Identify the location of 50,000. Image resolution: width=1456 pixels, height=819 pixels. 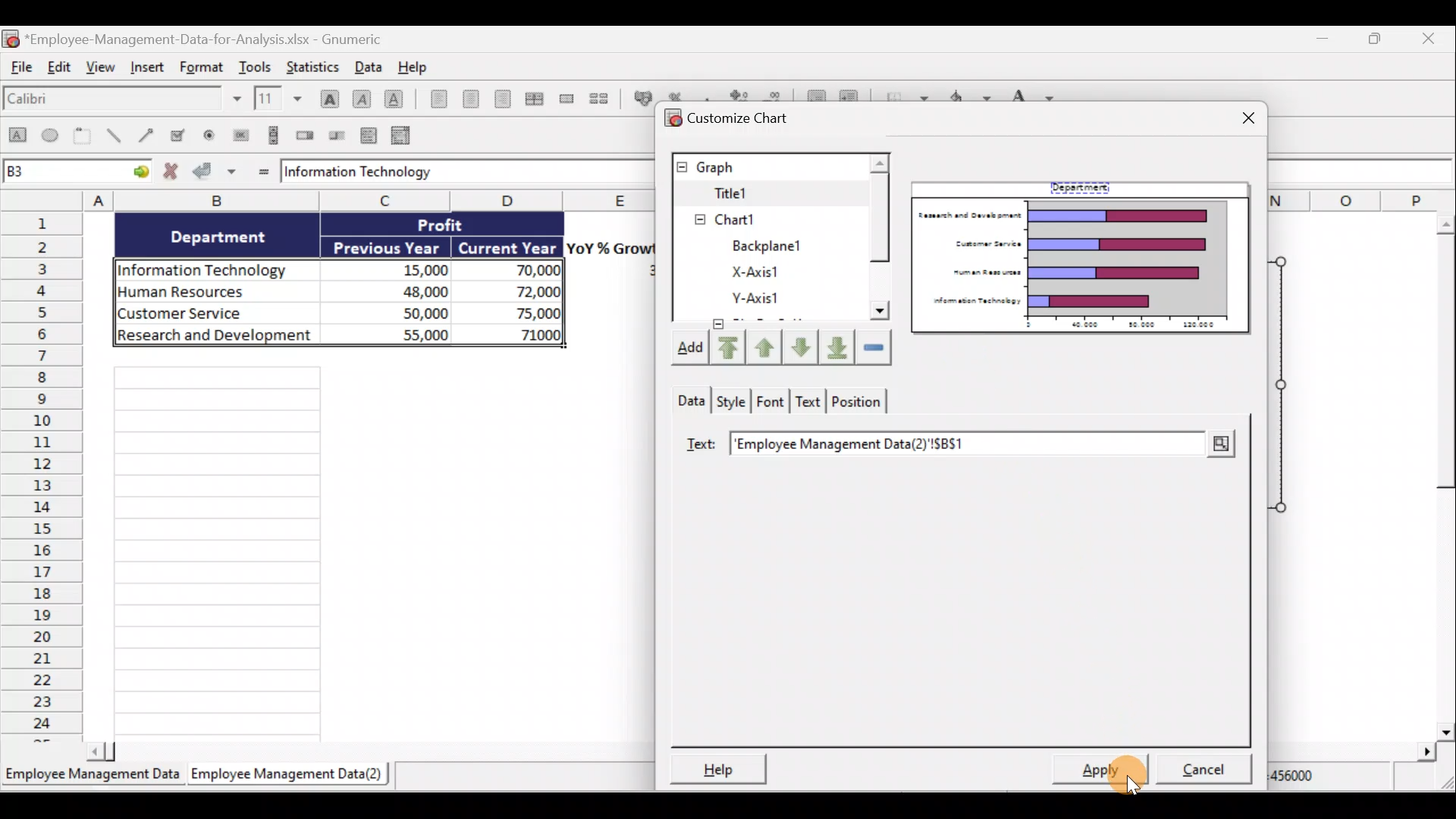
(409, 312).